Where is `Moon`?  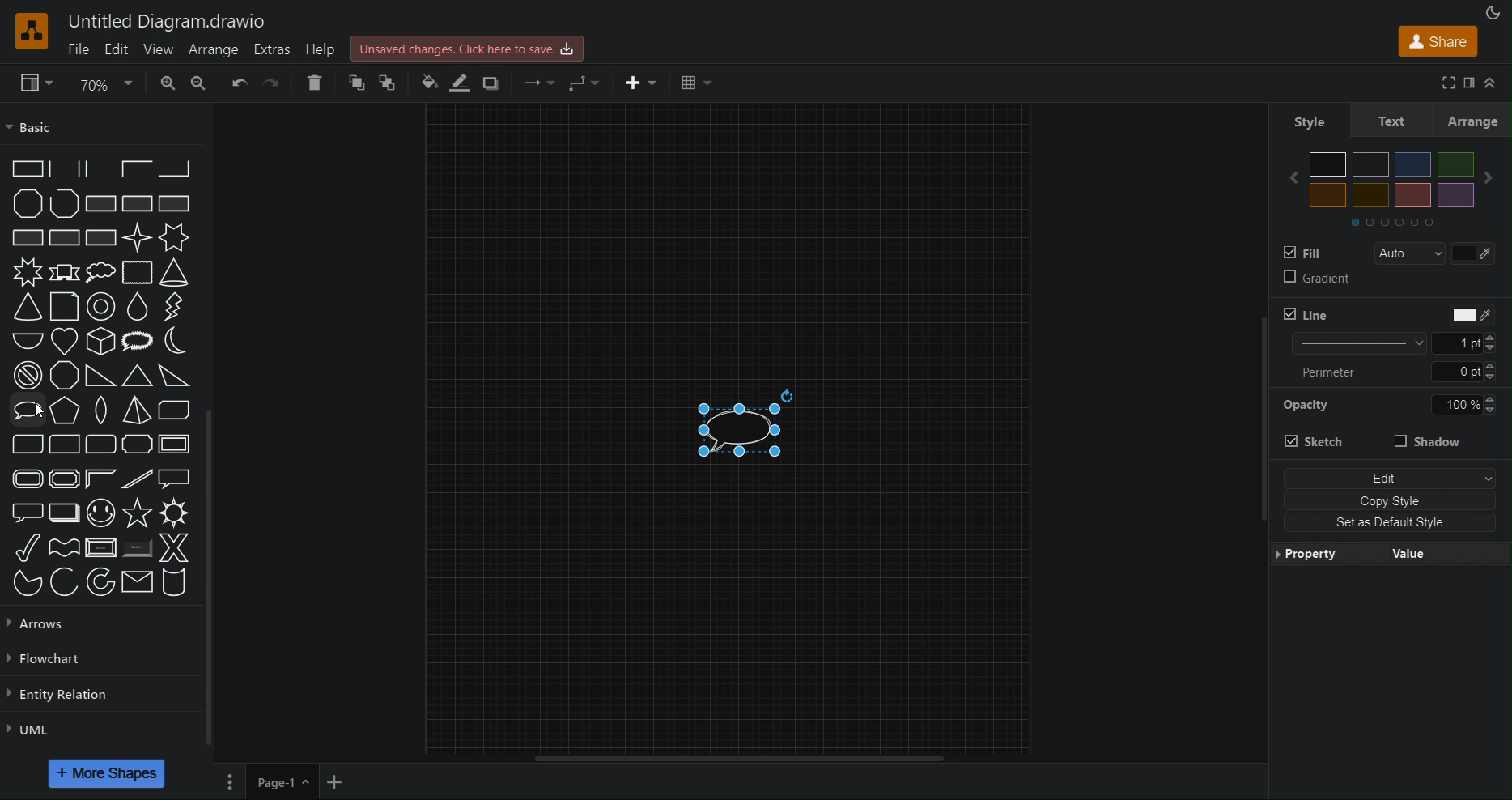 Moon is located at coordinates (174, 341).